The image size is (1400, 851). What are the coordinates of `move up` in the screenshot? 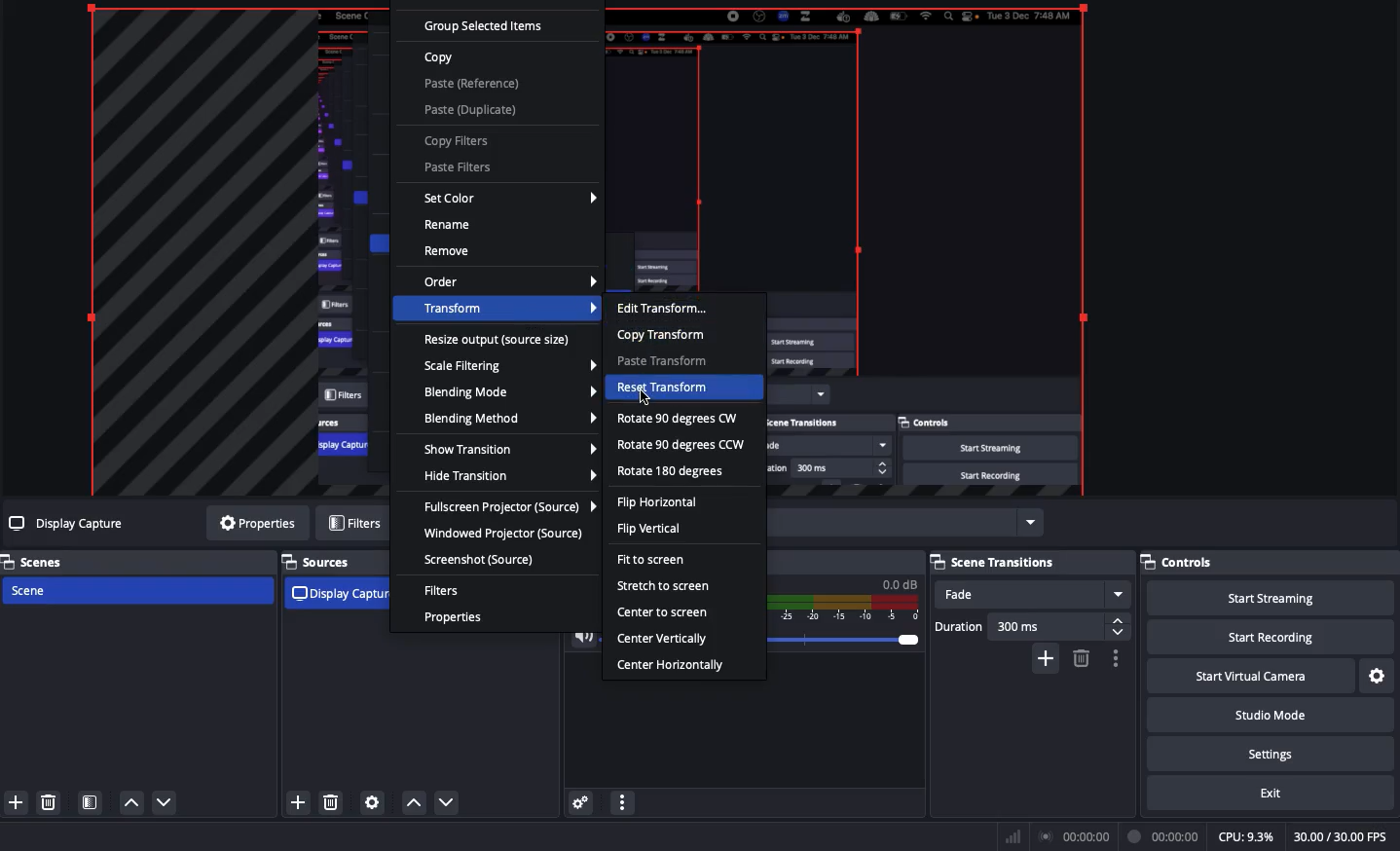 It's located at (410, 805).